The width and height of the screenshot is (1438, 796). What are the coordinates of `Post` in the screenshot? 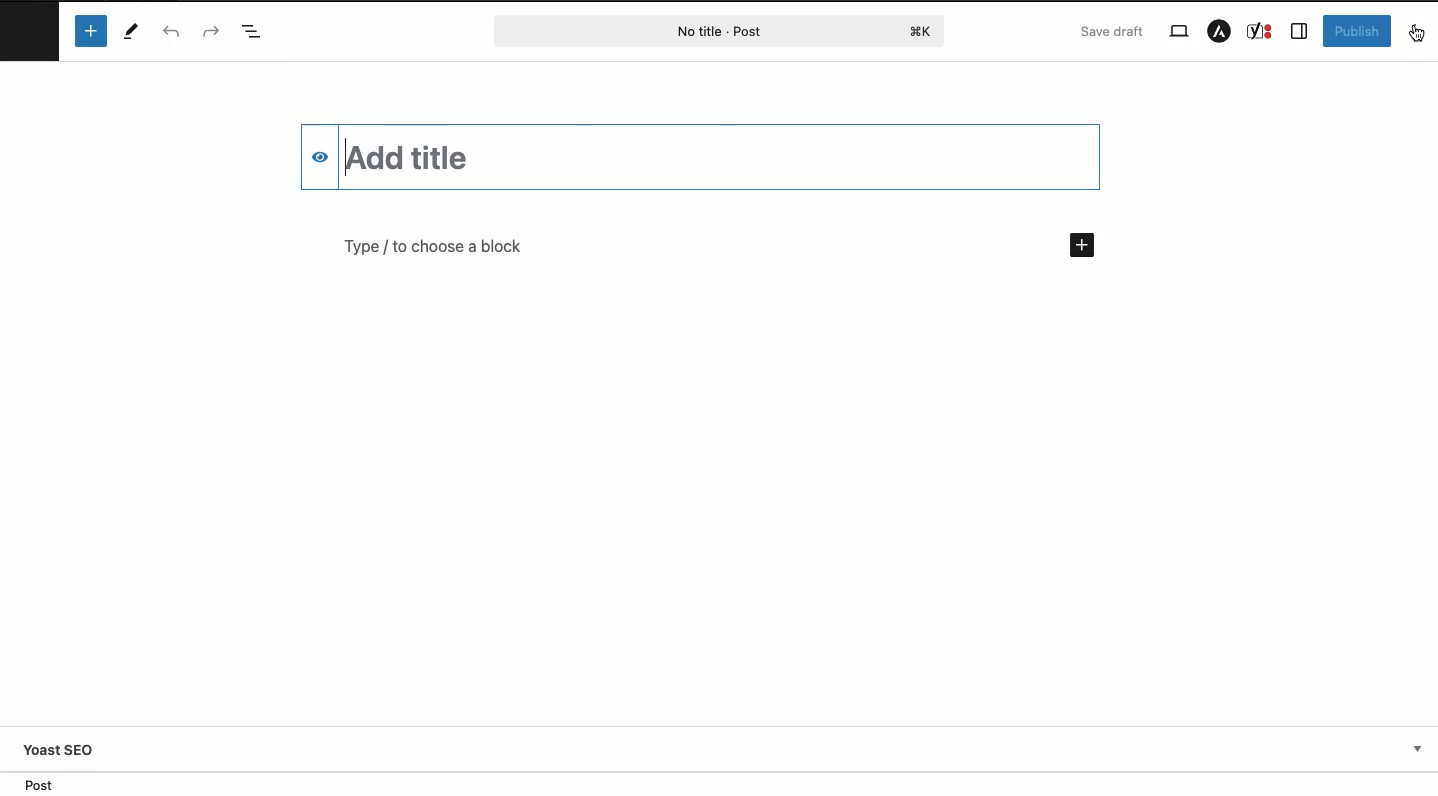 It's located at (717, 31).